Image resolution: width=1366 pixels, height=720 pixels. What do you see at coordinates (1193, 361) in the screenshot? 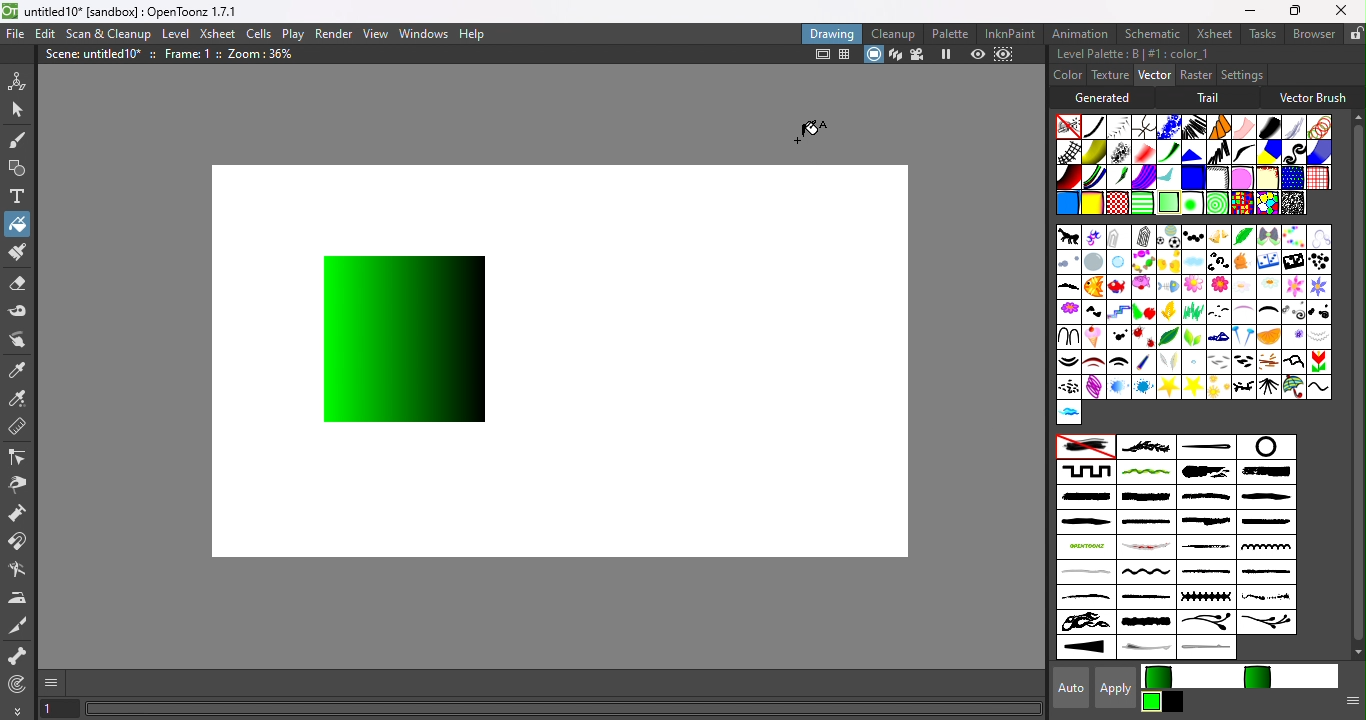
I see `rain` at bounding box center [1193, 361].